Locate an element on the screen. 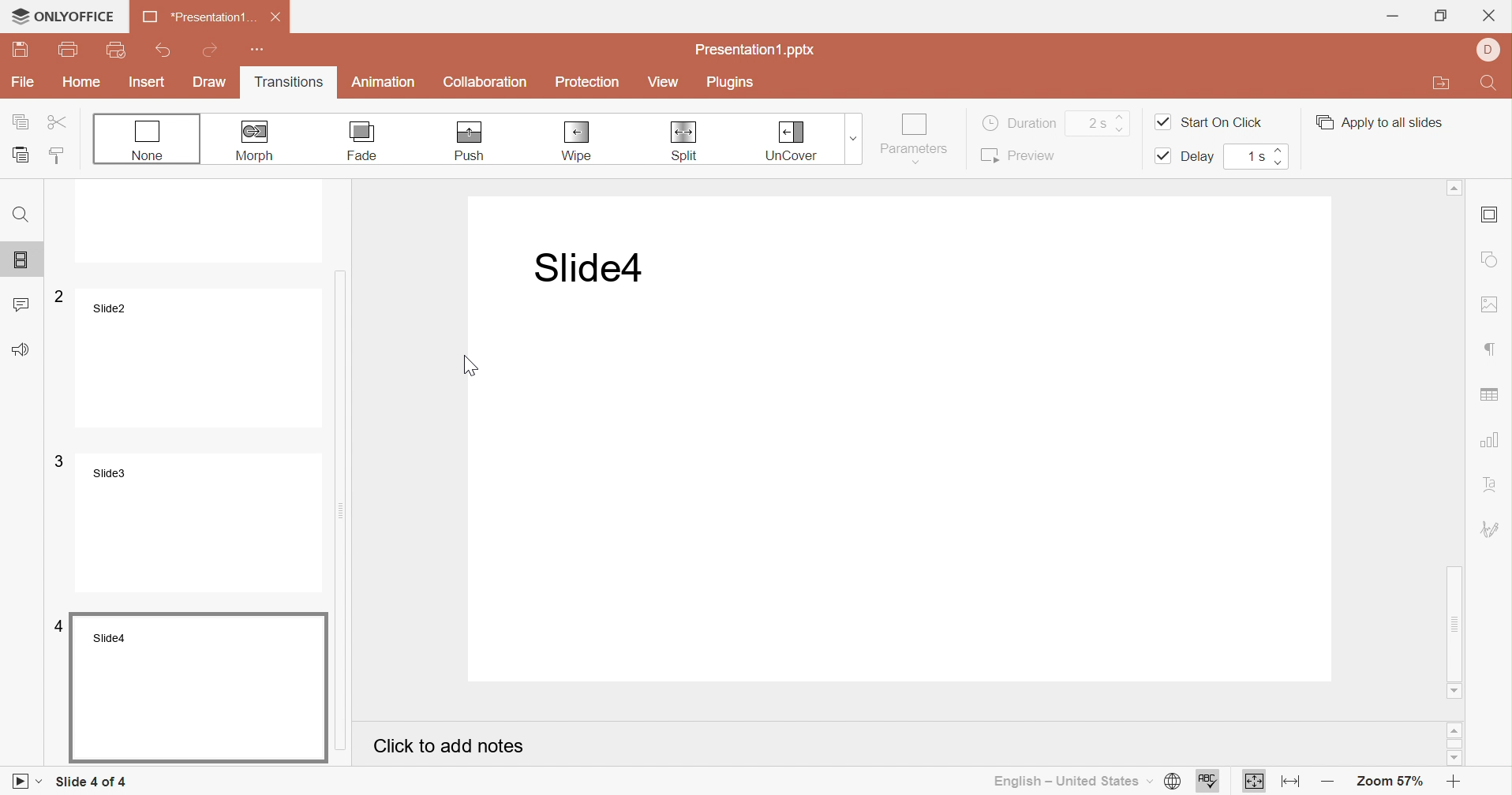 The width and height of the screenshot is (1512, 795). Plugins is located at coordinates (731, 83).